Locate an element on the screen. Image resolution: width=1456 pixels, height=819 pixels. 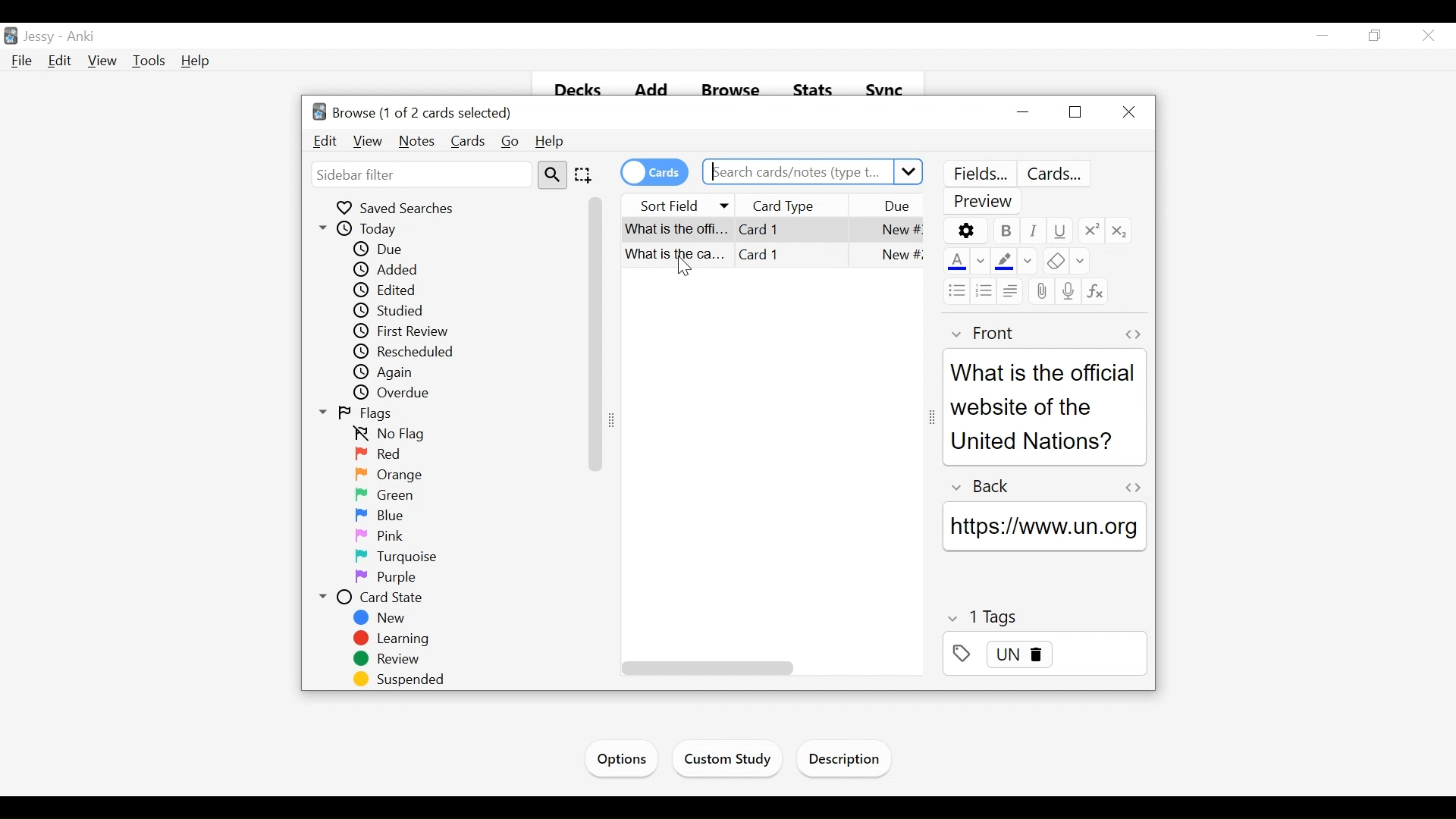
T is located at coordinates (1045, 617).